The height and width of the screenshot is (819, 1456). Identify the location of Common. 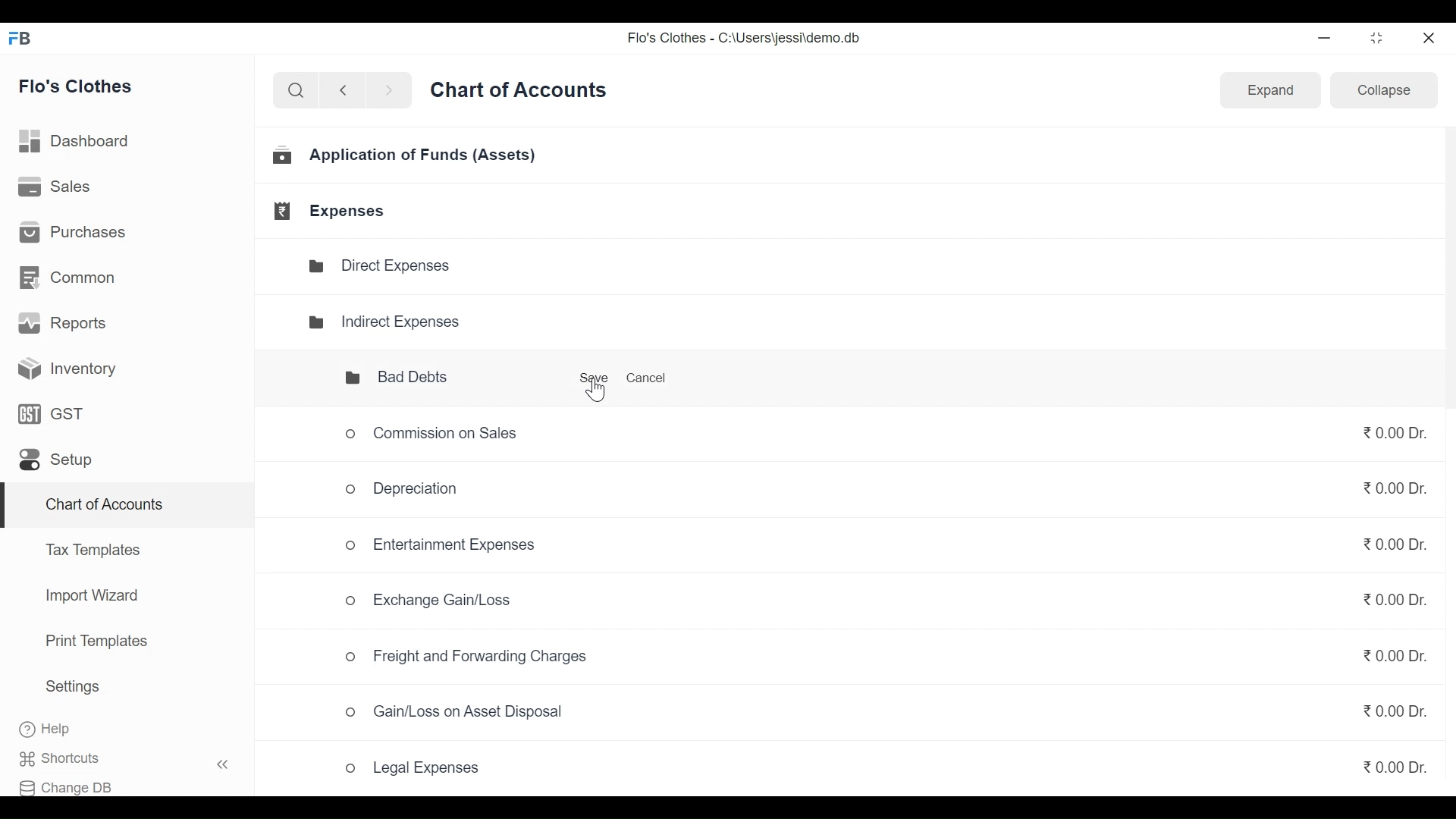
(69, 276).